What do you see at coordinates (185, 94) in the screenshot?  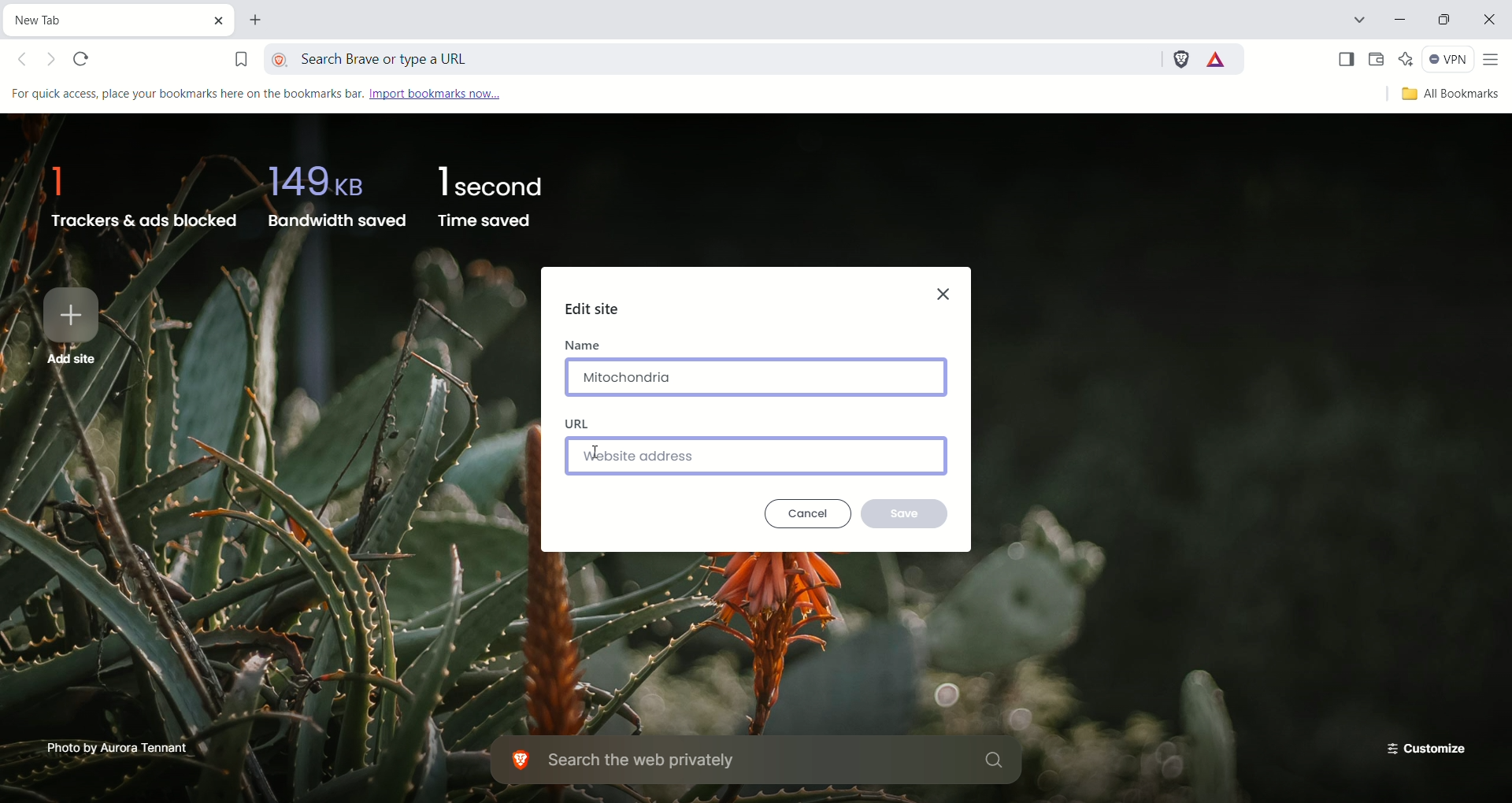 I see `For quick access, place your bookmarks here on the bookmarks bar.` at bounding box center [185, 94].